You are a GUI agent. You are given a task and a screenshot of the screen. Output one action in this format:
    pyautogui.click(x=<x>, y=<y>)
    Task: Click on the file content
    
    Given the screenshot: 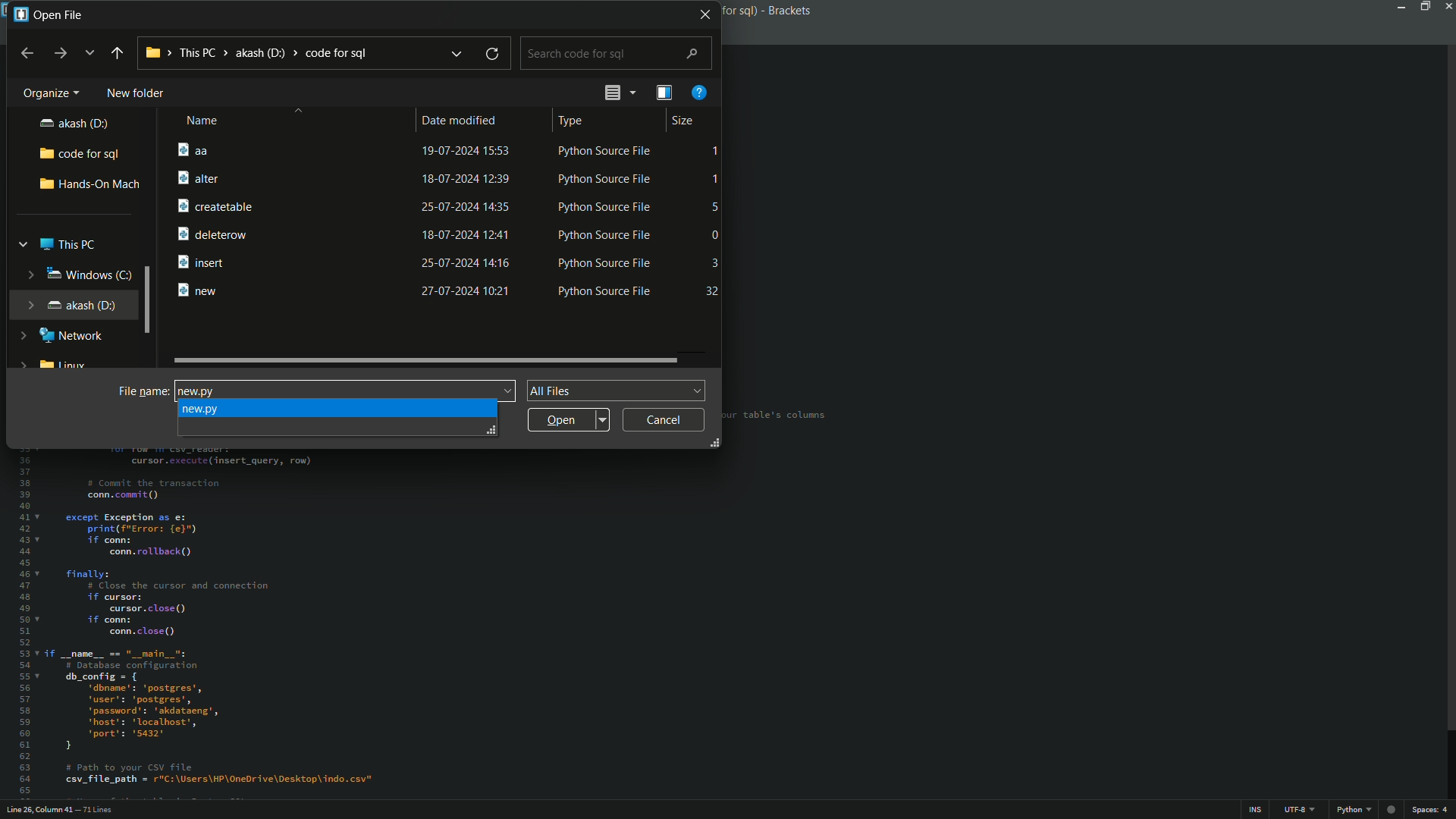 What is the action you would take?
    pyautogui.click(x=440, y=620)
    